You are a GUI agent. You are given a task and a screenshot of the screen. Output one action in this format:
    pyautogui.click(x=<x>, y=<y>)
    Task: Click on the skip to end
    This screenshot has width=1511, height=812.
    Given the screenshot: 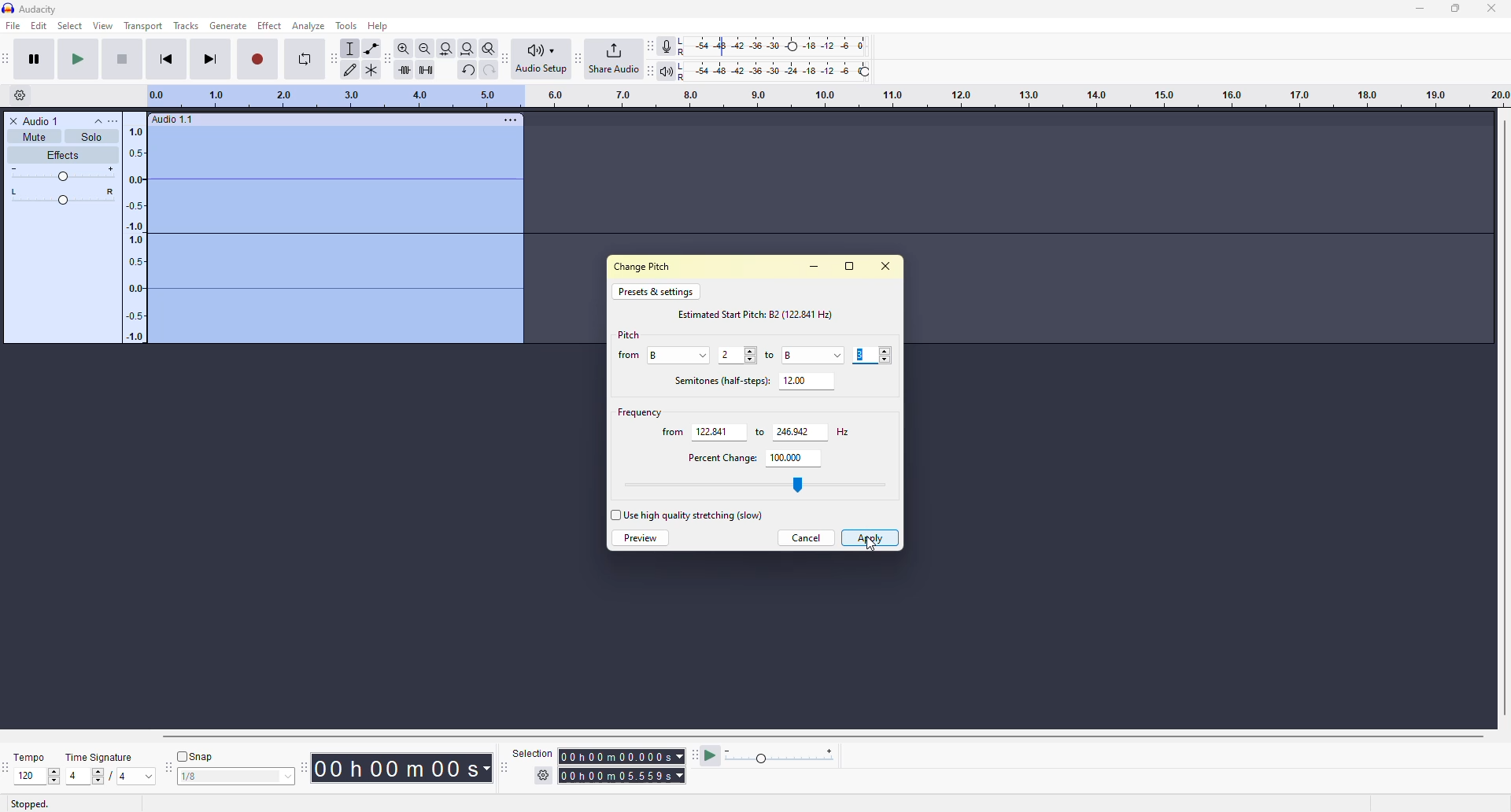 What is the action you would take?
    pyautogui.click(x=212, y=58)
    